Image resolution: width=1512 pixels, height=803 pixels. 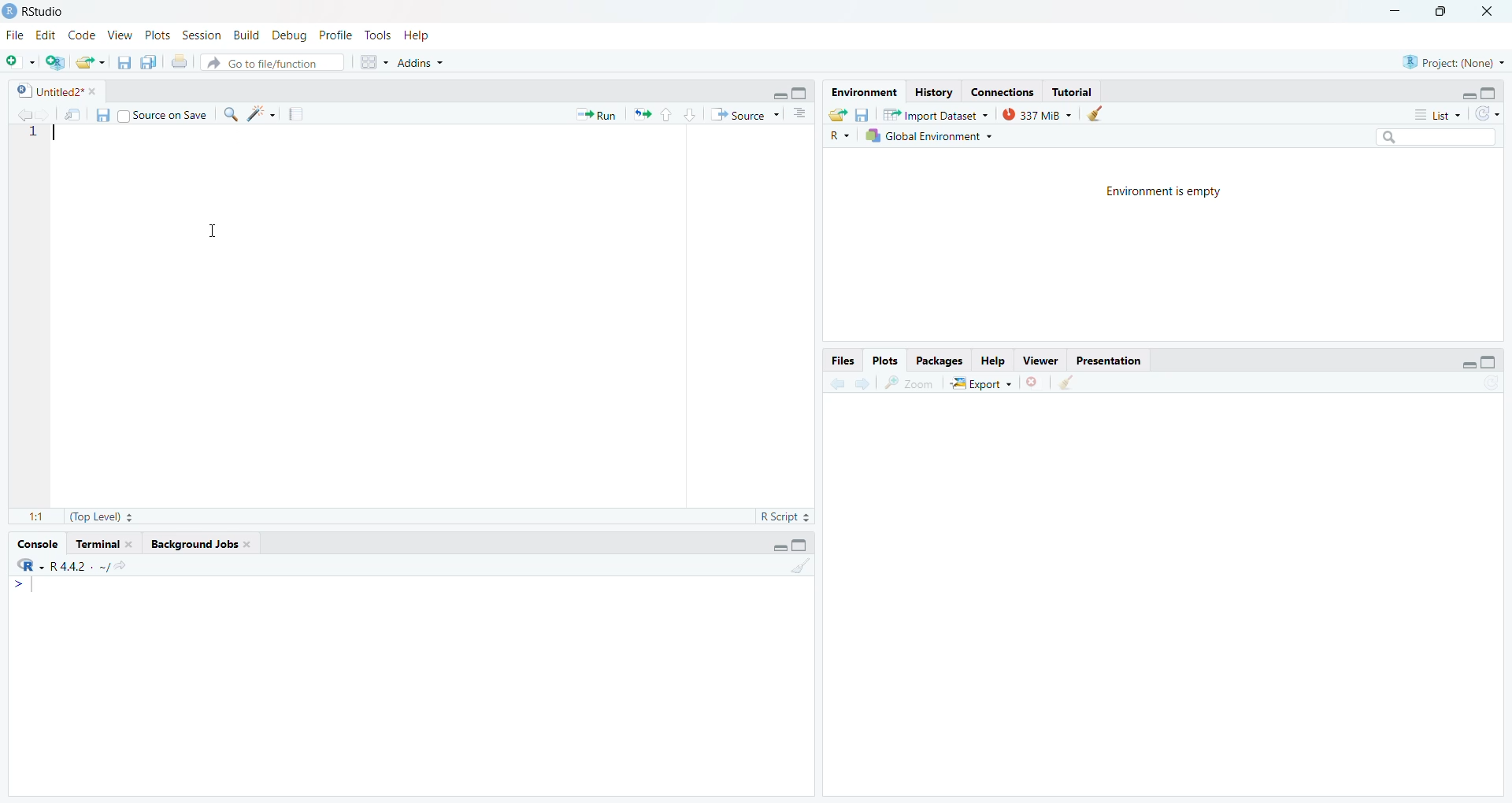 I want to click on hide console, so click(x=802, y=544).